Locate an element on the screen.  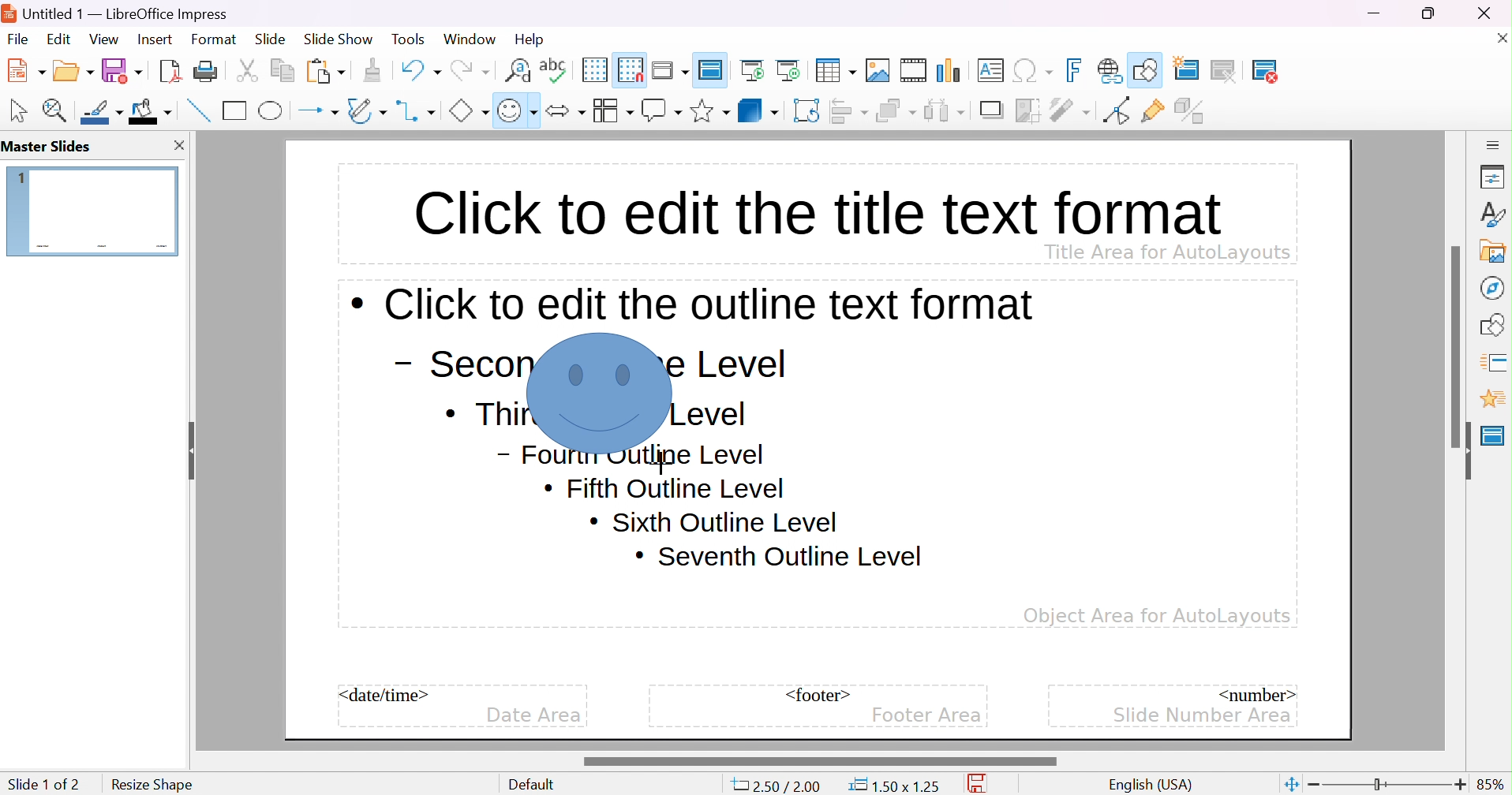
clone formatting is located at coordinates (372, 70).